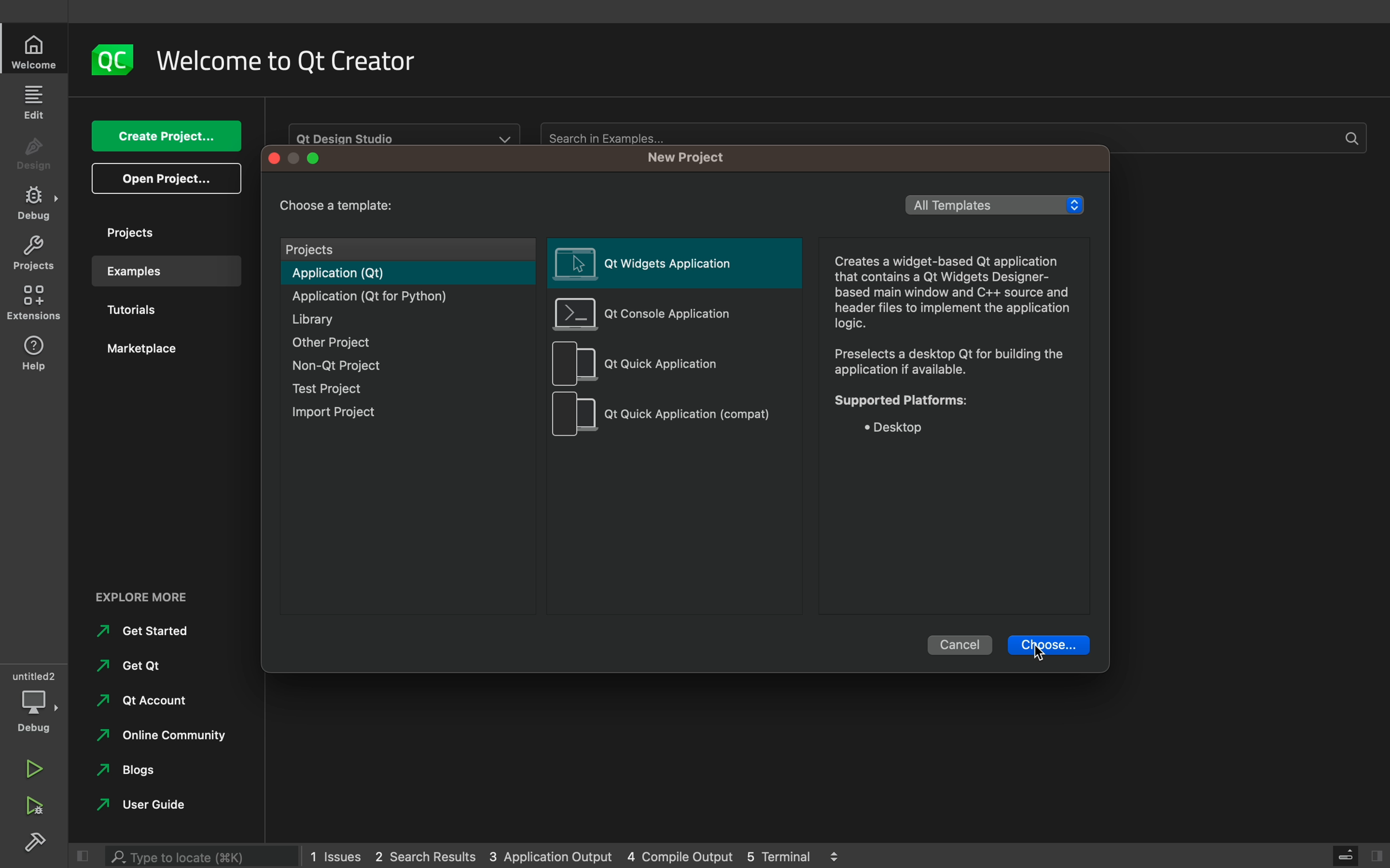 This screenshot has height=868, width=1390. What do you see at coordinates (406, 318) in the screenshot?
I see `library` at bounding box center [406, 318].